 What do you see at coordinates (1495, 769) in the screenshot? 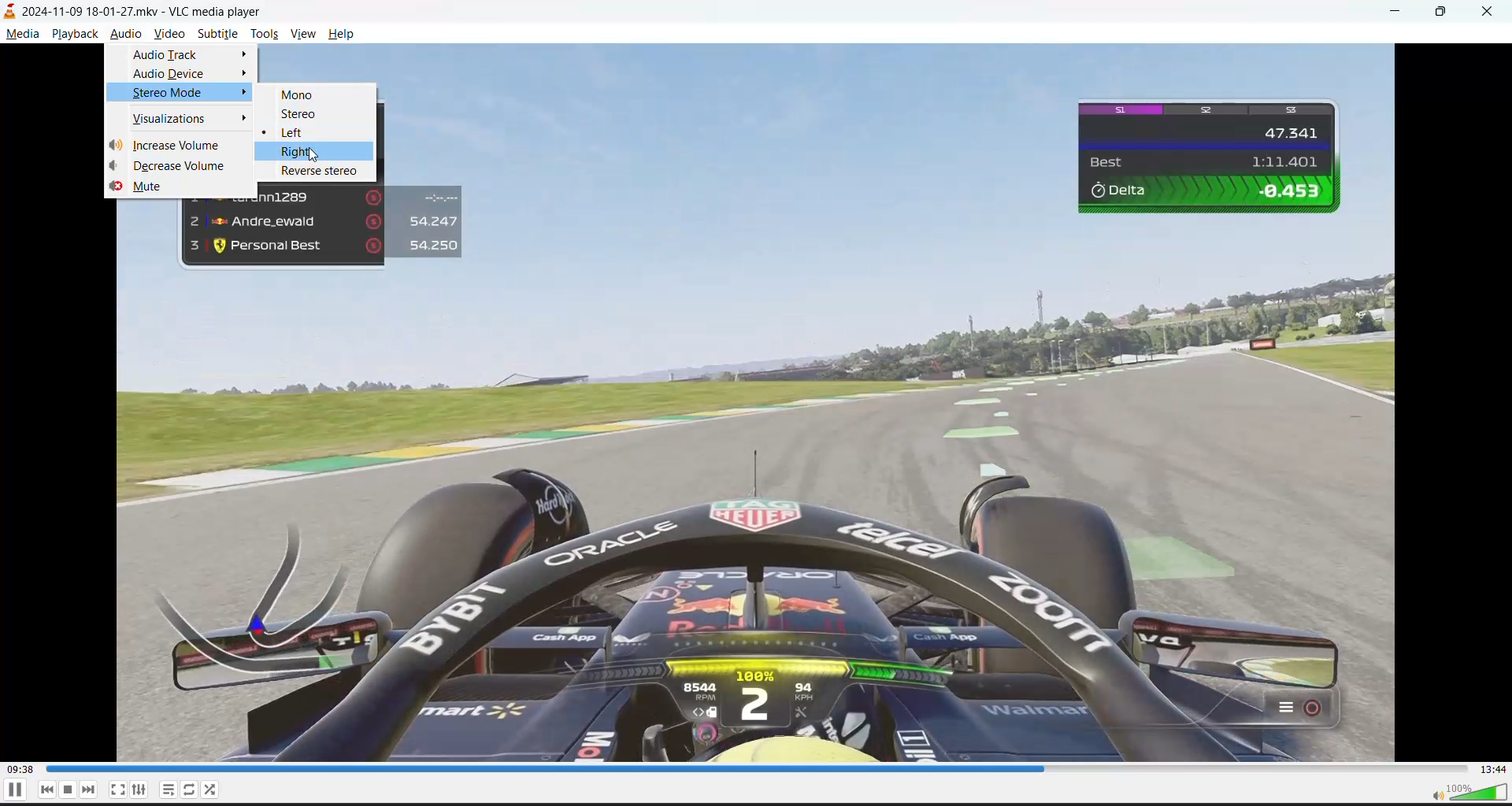
I see `total track time` at bounding box center [1495, 769].